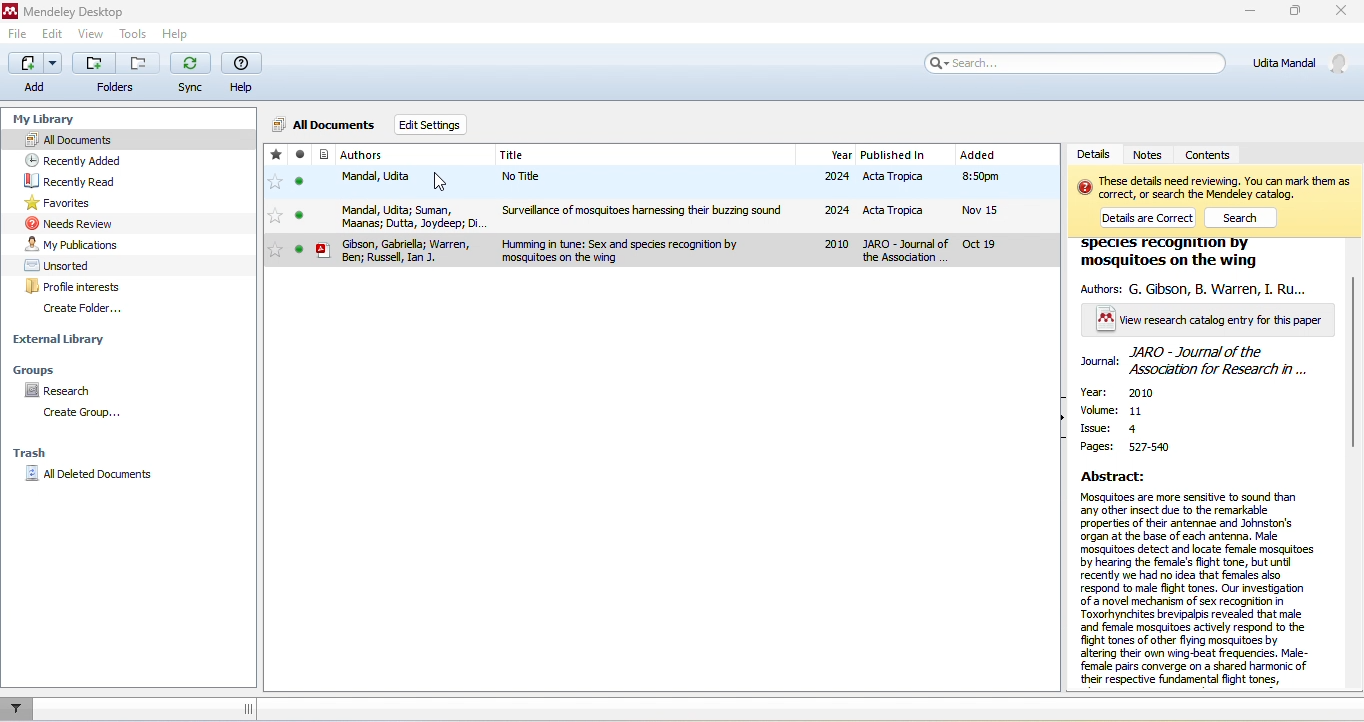 This screenshot has width=1364, height=722. Describe the element at coordinates (834, 211) in the screenshot. I see `2024` at that location.